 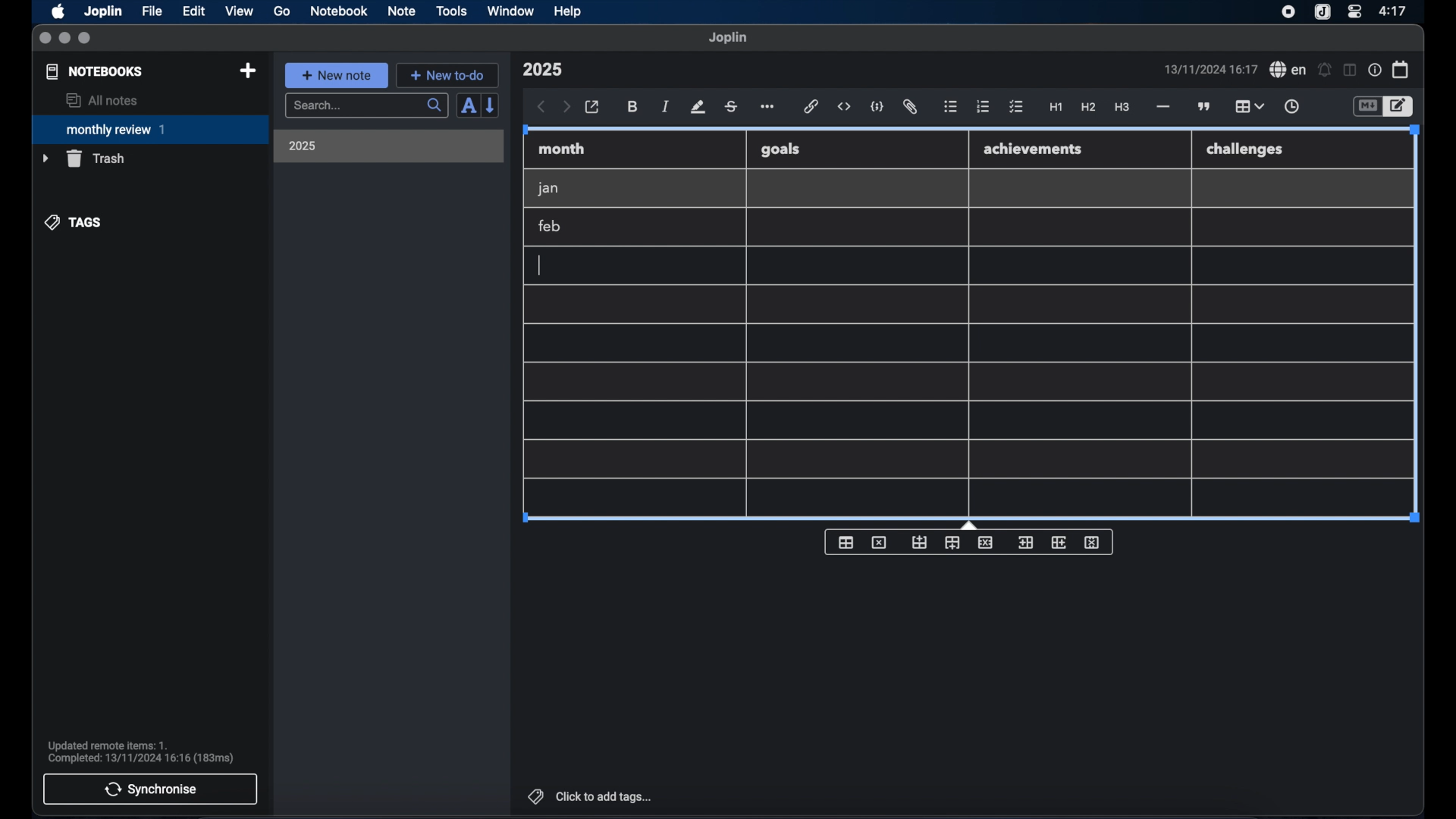 What do you see at coordinates (950, 107) in the screenshot?
I see `bulleted list` at bounding box center [950, 107].